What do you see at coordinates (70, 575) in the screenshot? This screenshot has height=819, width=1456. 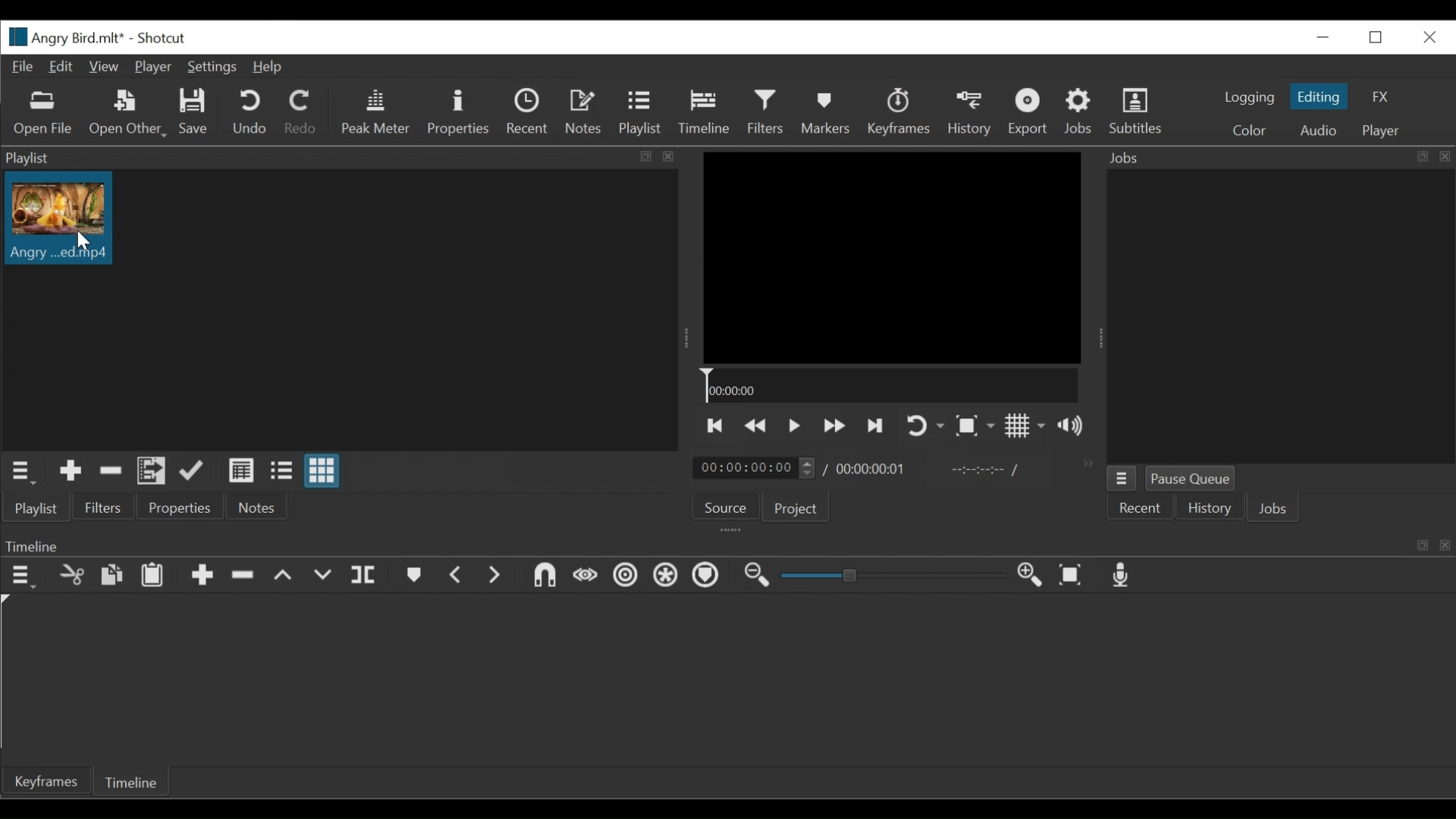 I see `Cut` at bounding box center [70, 575].